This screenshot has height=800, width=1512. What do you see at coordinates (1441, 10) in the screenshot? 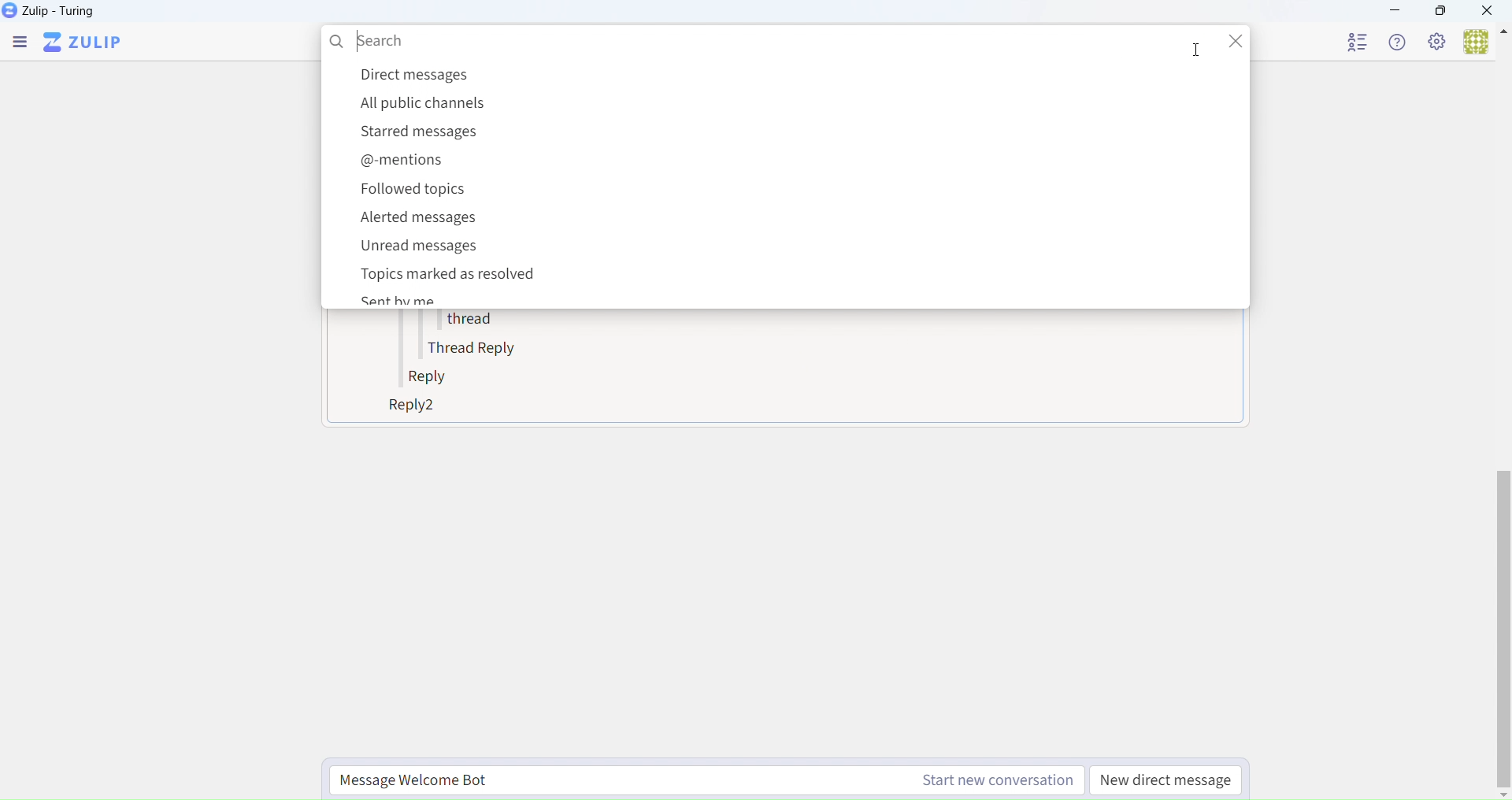
I see `Box` at bounding box center [1441, 10].